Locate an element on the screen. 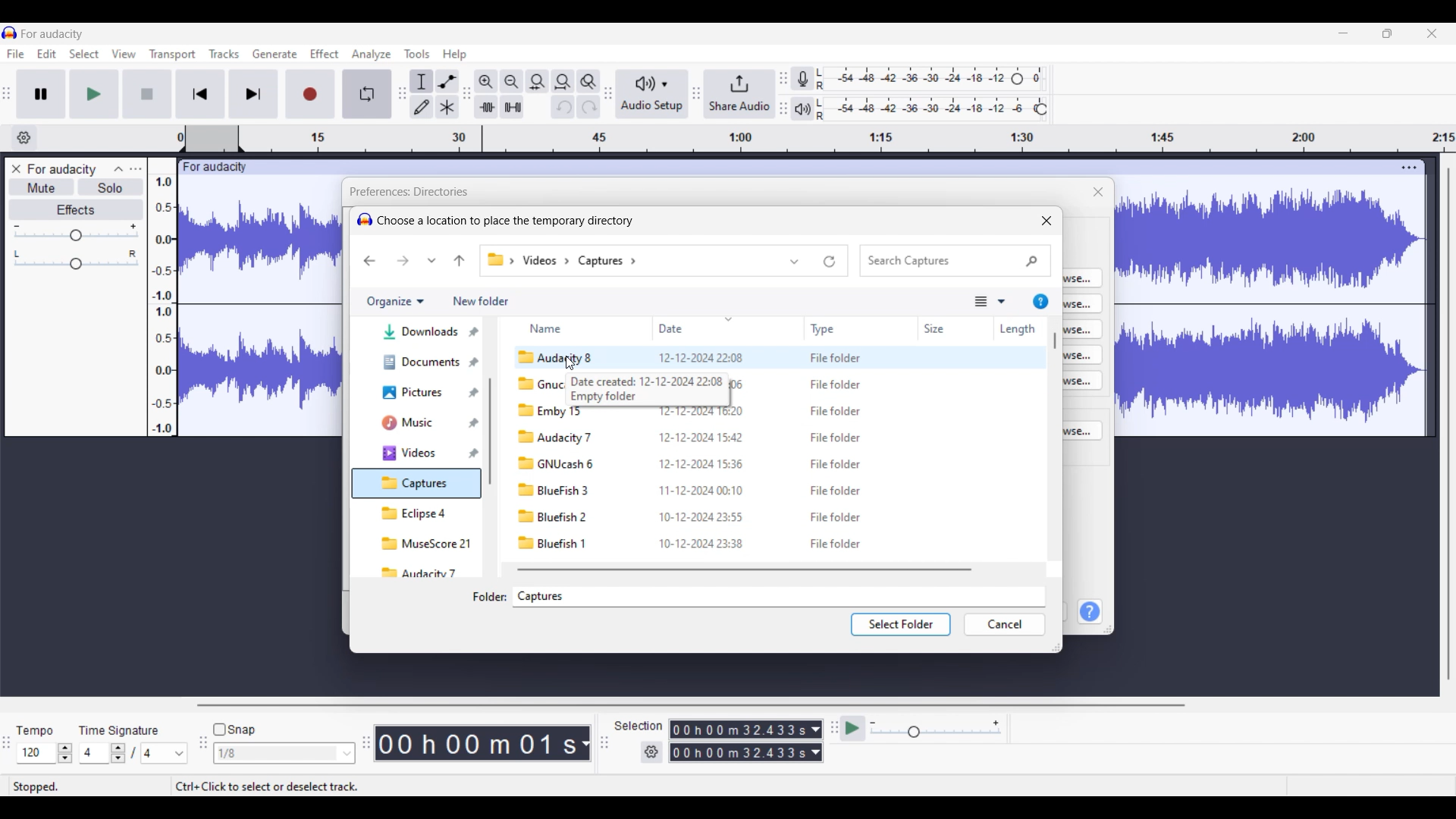 This screenshot has height=819, width=1456. musescore 21 is located at coordinates (425, 544).